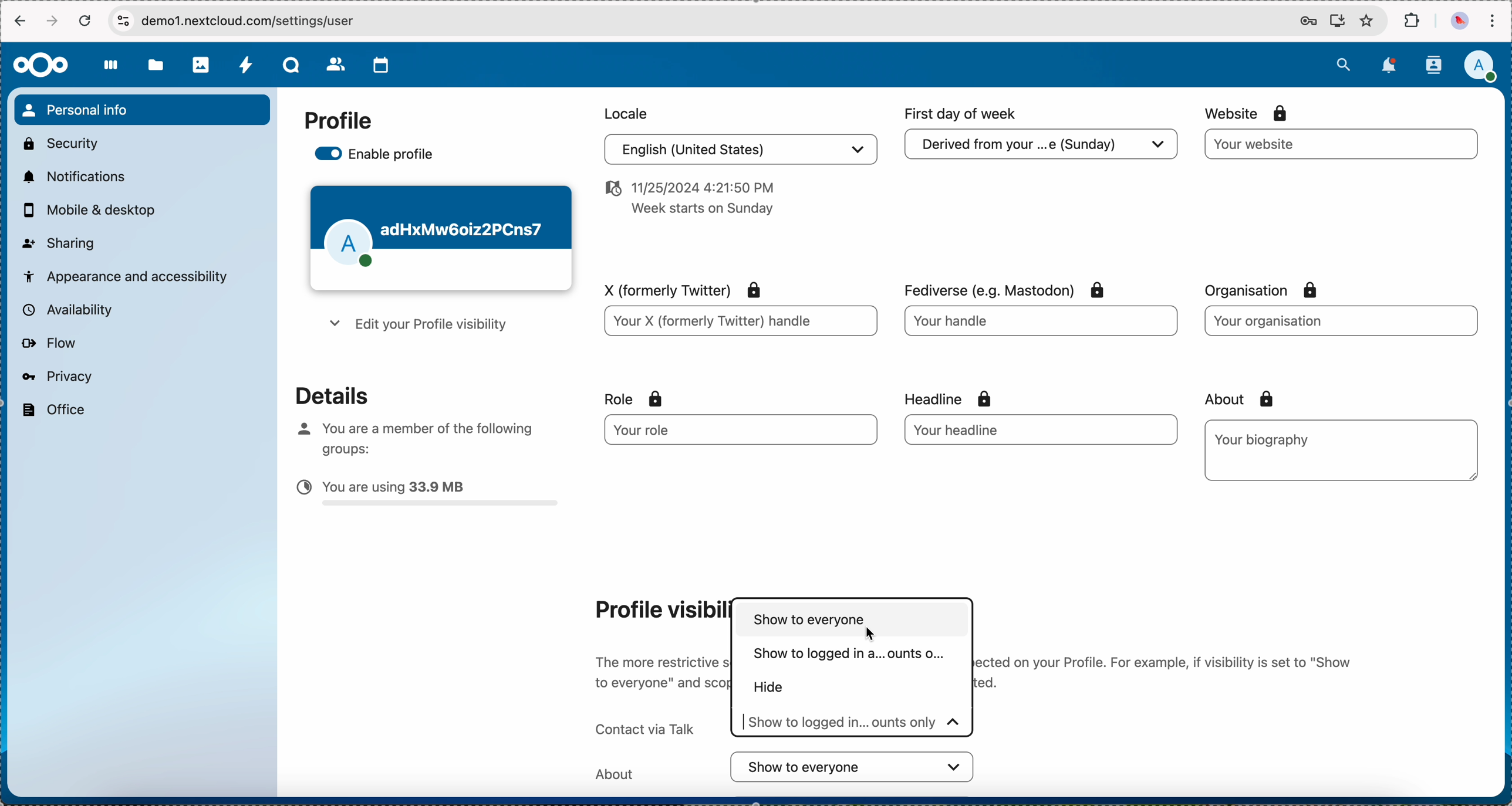 The height and width of the screenshot is (806, 1512). Describe the element at coordinates (1391, 65) in the screenshot. I see `notifications` at that location.